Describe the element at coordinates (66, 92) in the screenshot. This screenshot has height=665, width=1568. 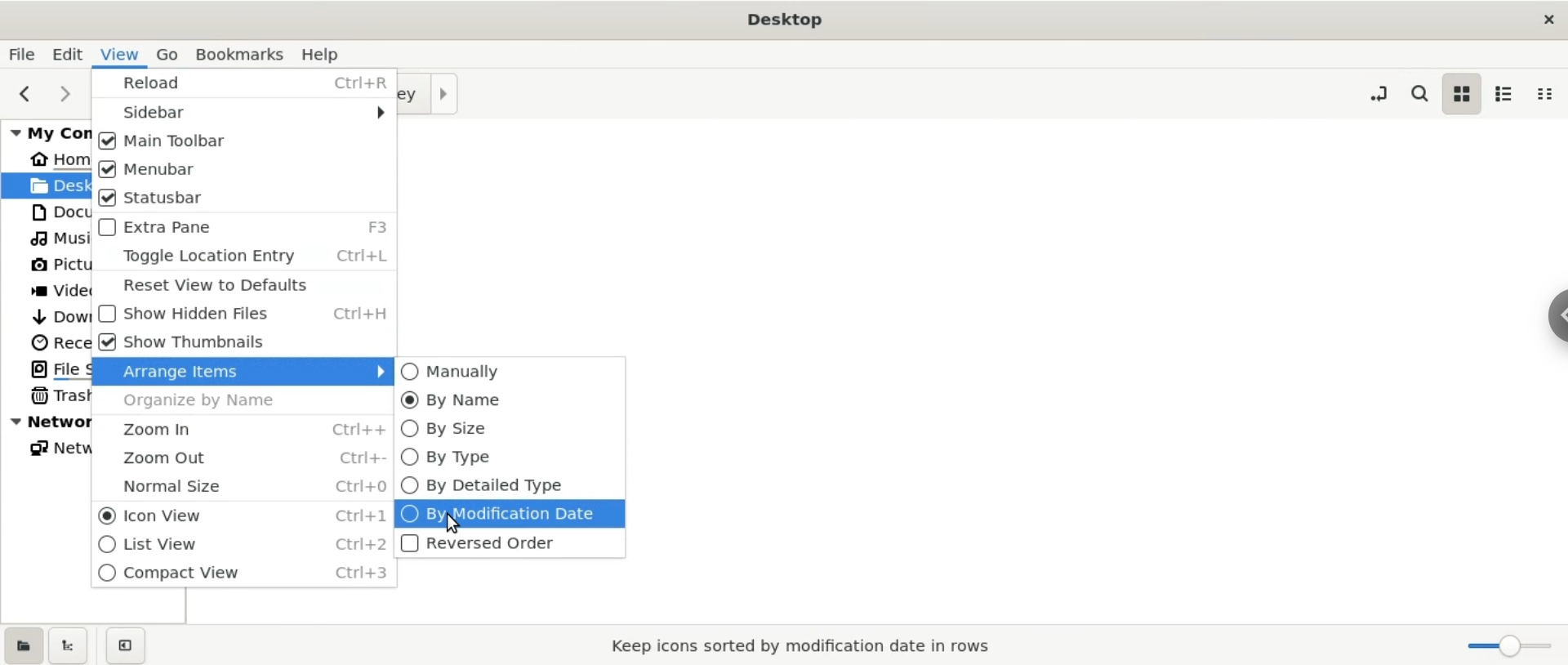
I see `next` at that location.